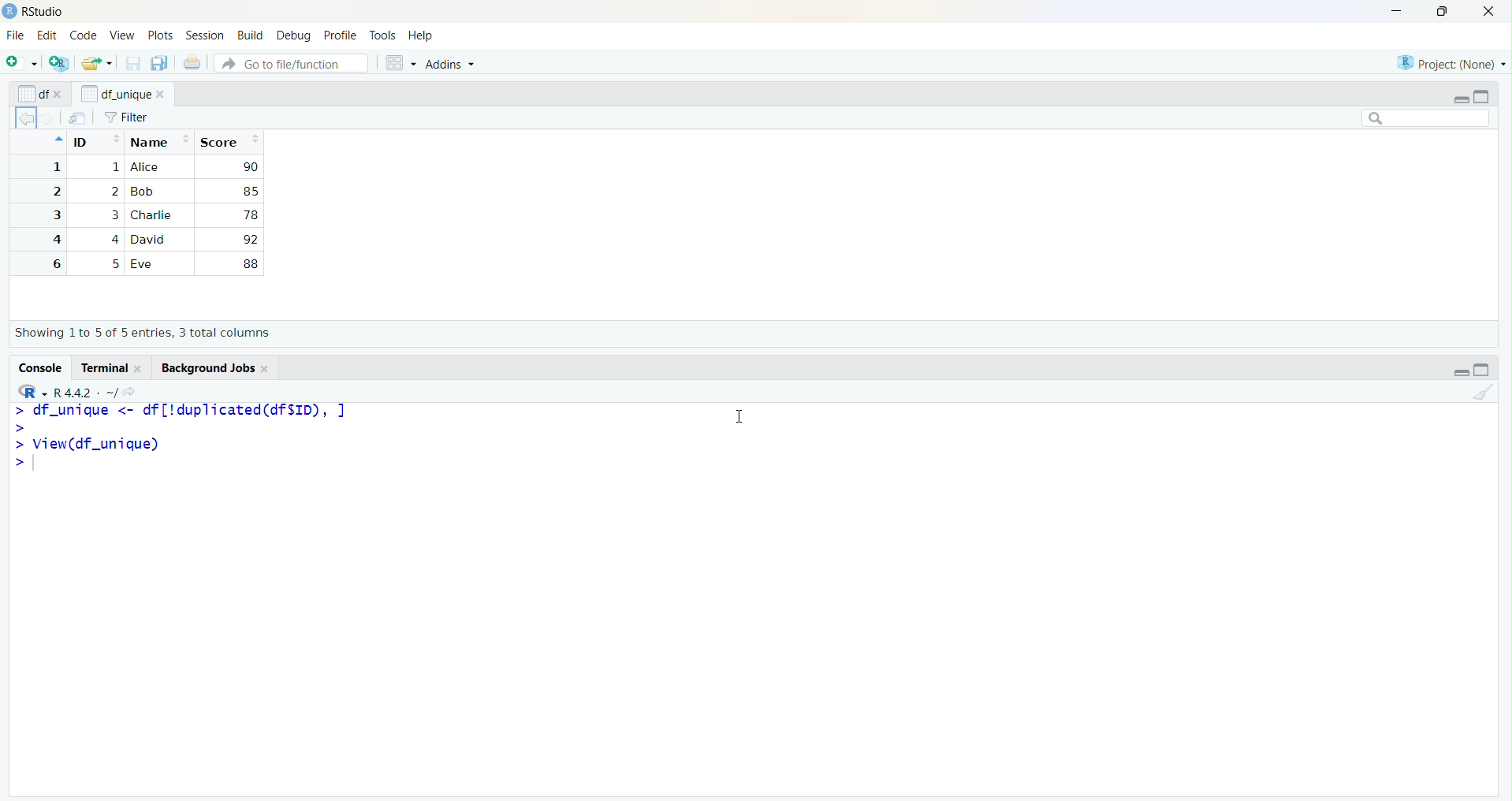  What do you see at coordinates (450, 65) in the screenshot?
I see `Addins` at bounding box center [450, 65].